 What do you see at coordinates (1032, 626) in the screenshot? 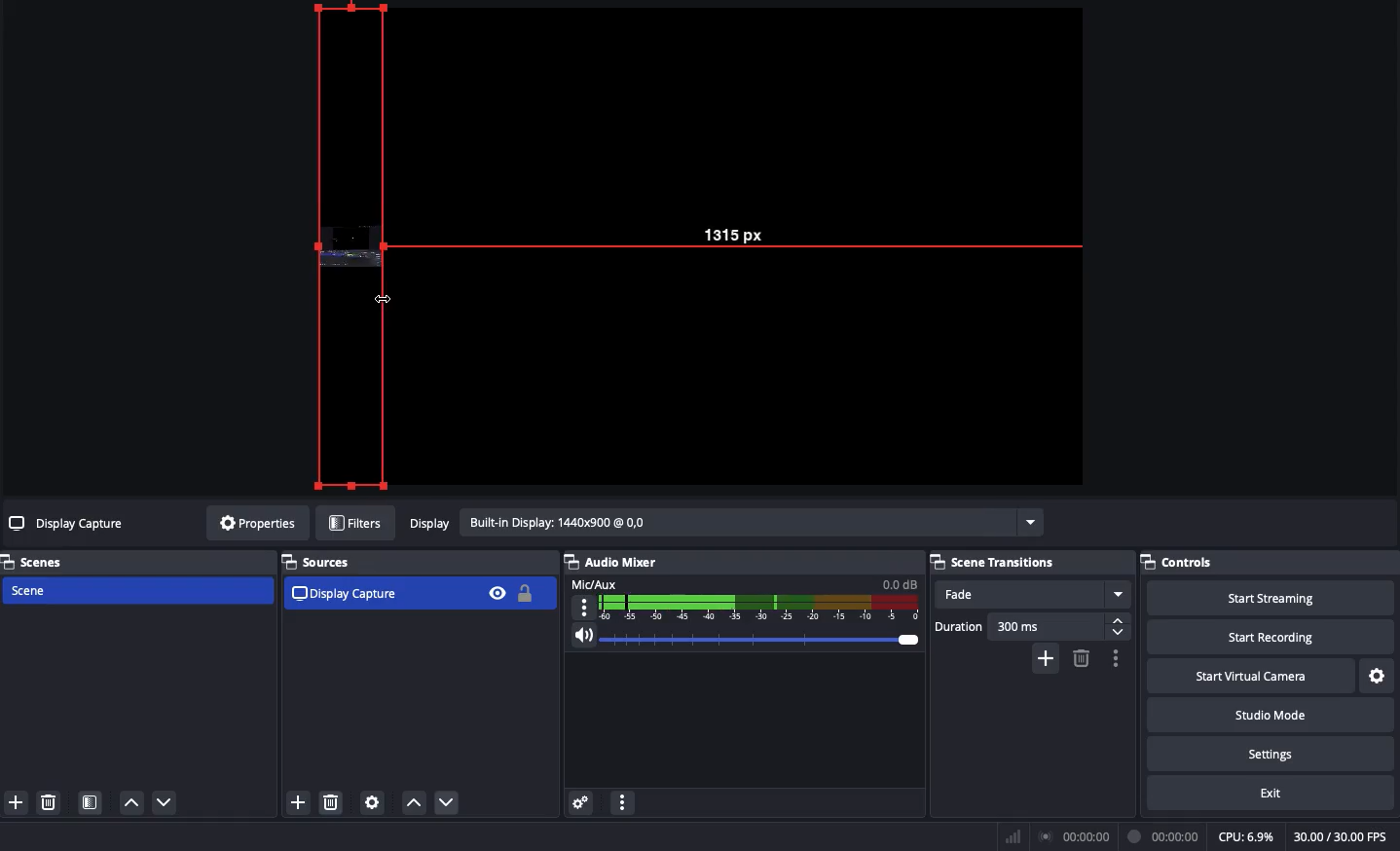
I see `Duration` at bounding box center [1032, 626].